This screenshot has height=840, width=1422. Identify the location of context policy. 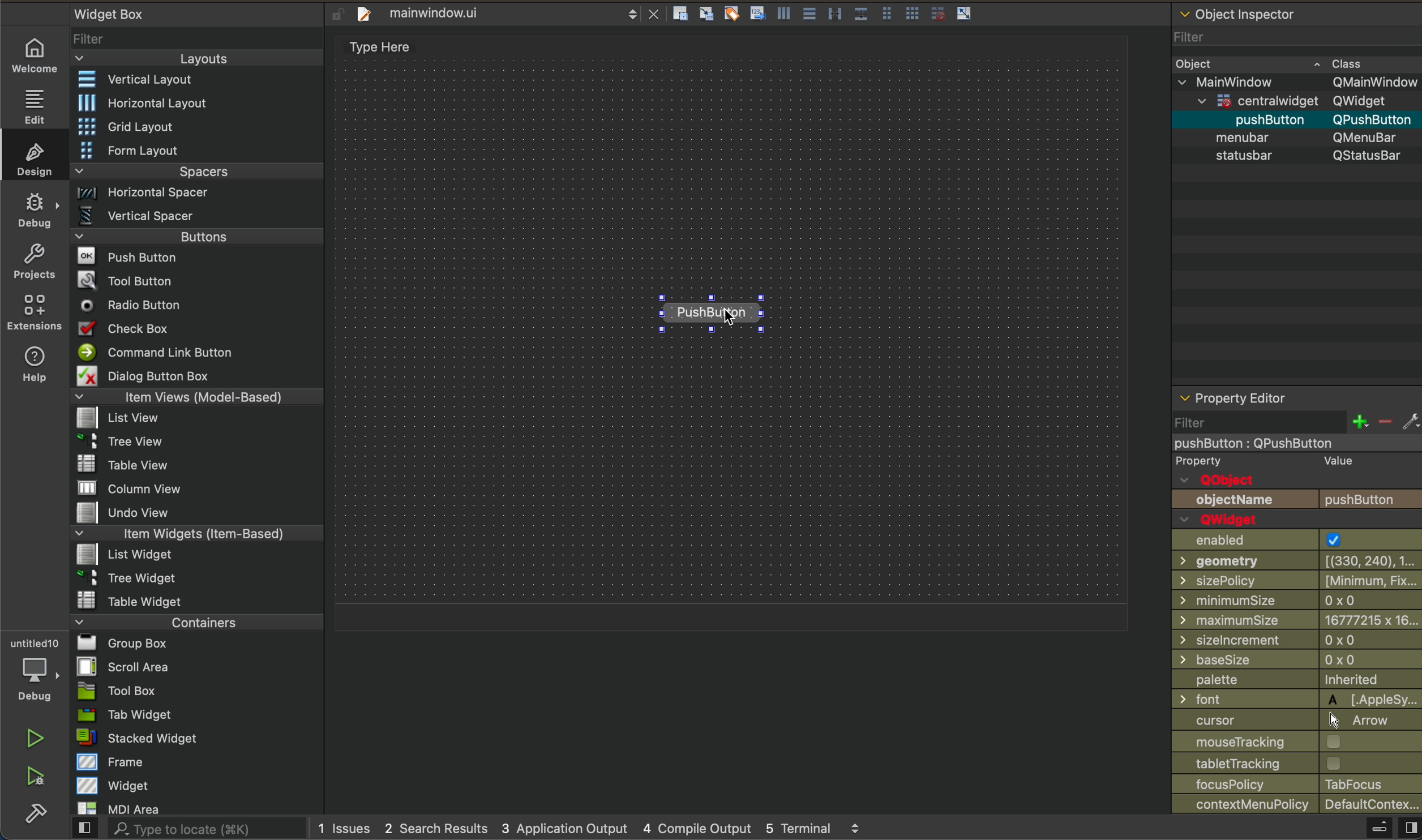
(1297, 805).